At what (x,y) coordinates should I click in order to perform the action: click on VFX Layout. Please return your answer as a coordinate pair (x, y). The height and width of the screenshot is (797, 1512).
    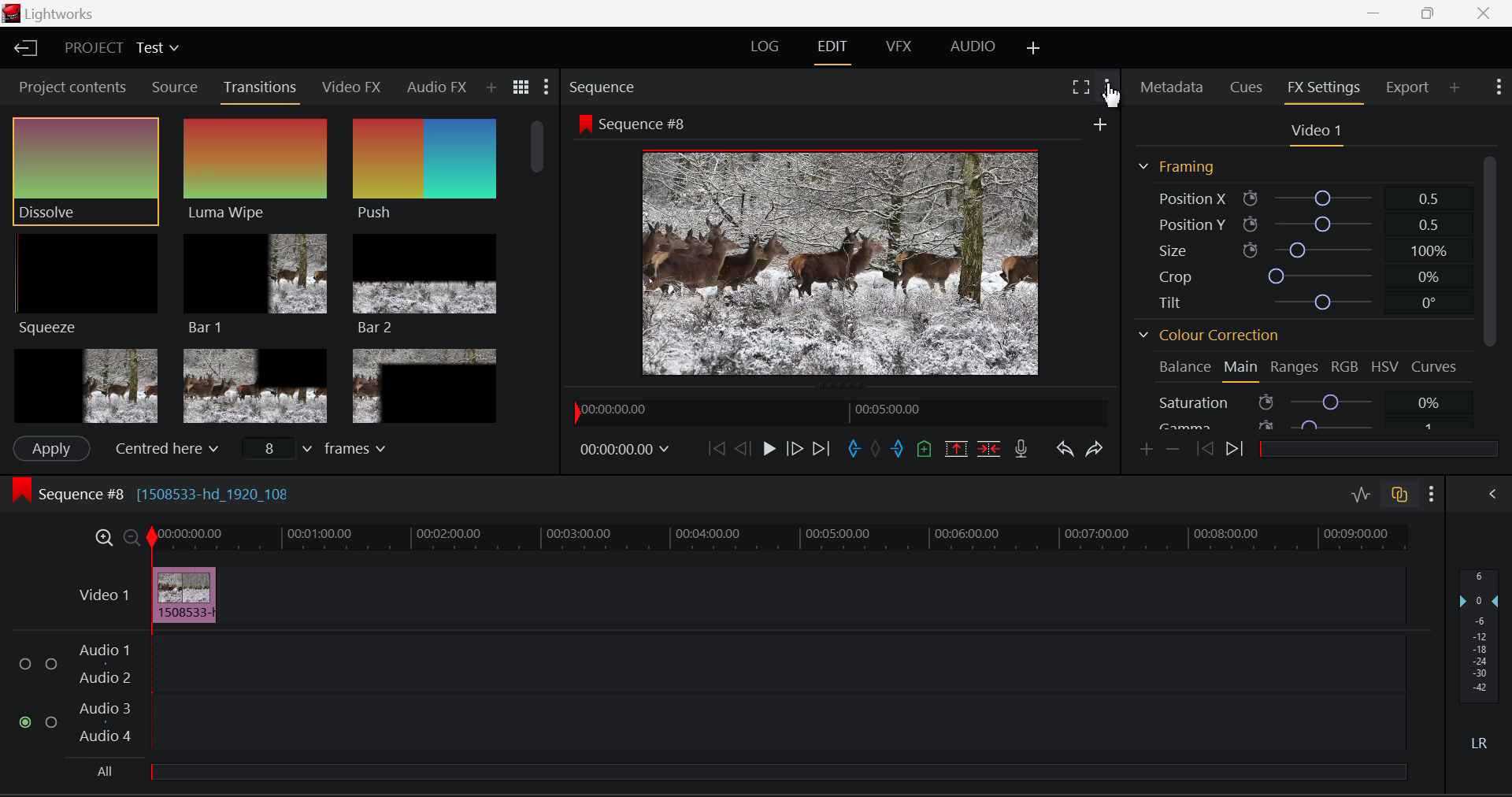
    Looking at the image, I should click on (896, 50).